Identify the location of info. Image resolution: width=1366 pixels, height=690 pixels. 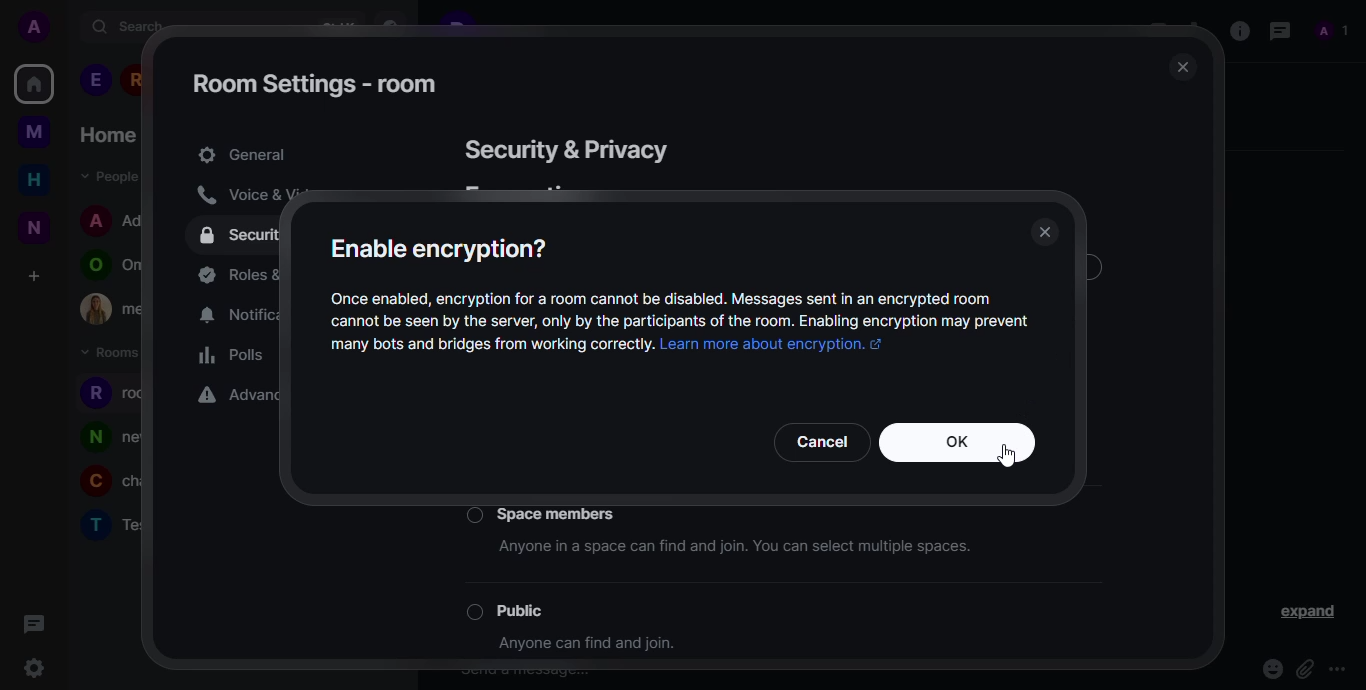
(1236, 30).